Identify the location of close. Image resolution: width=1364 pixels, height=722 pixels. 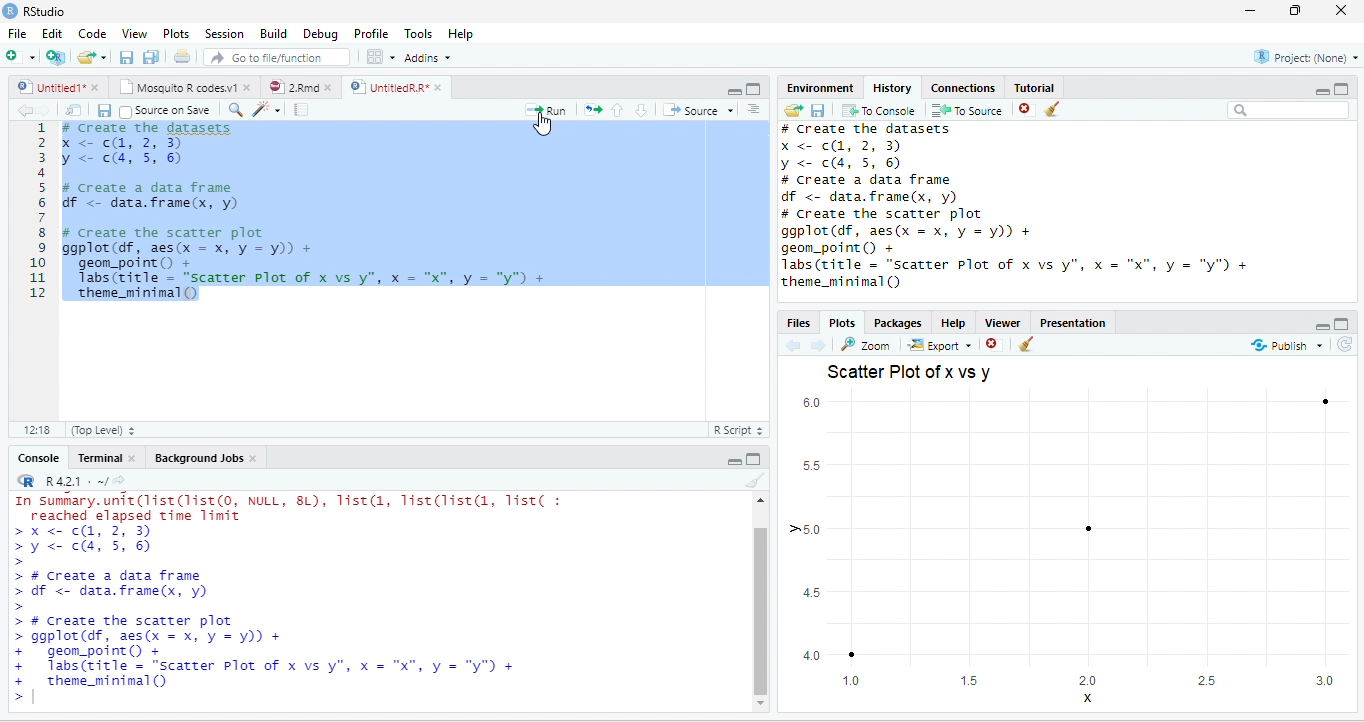
(254, 459).